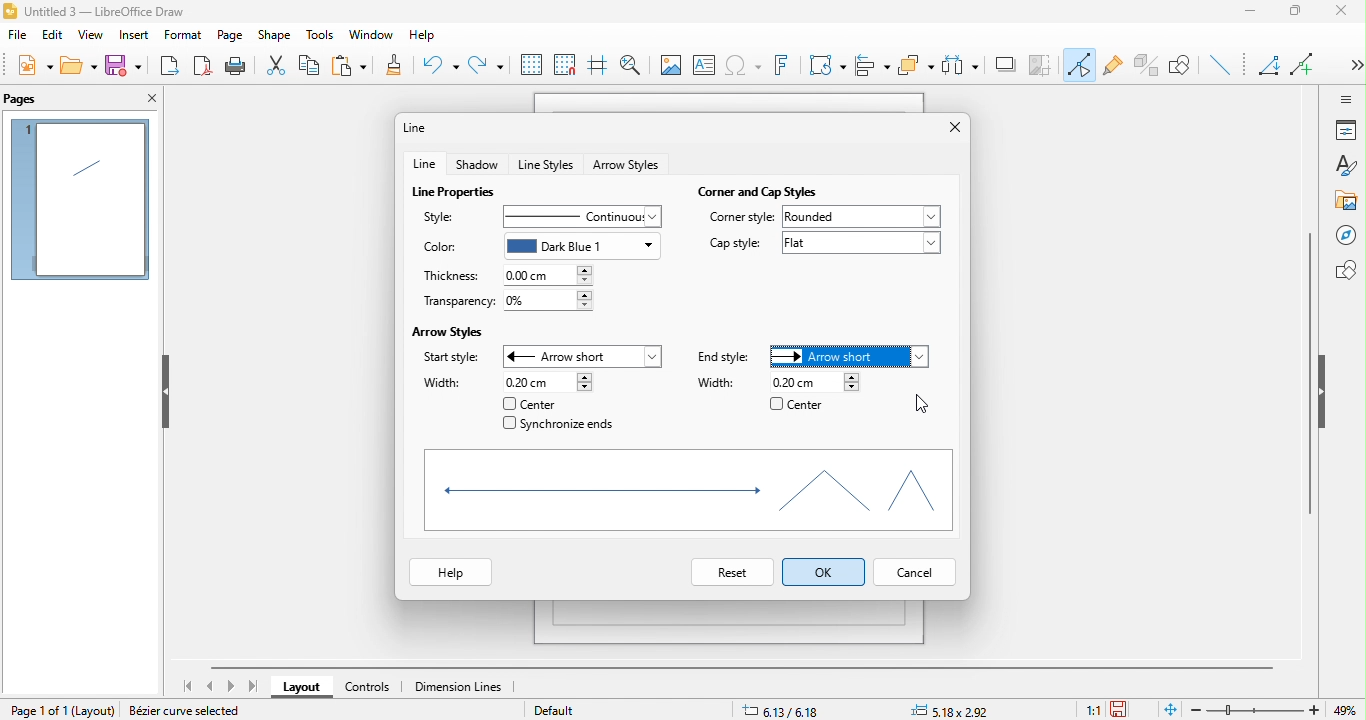  Describe the element at coordinates (452, 330) in the screenshot. I see `arrow styles` at that location.